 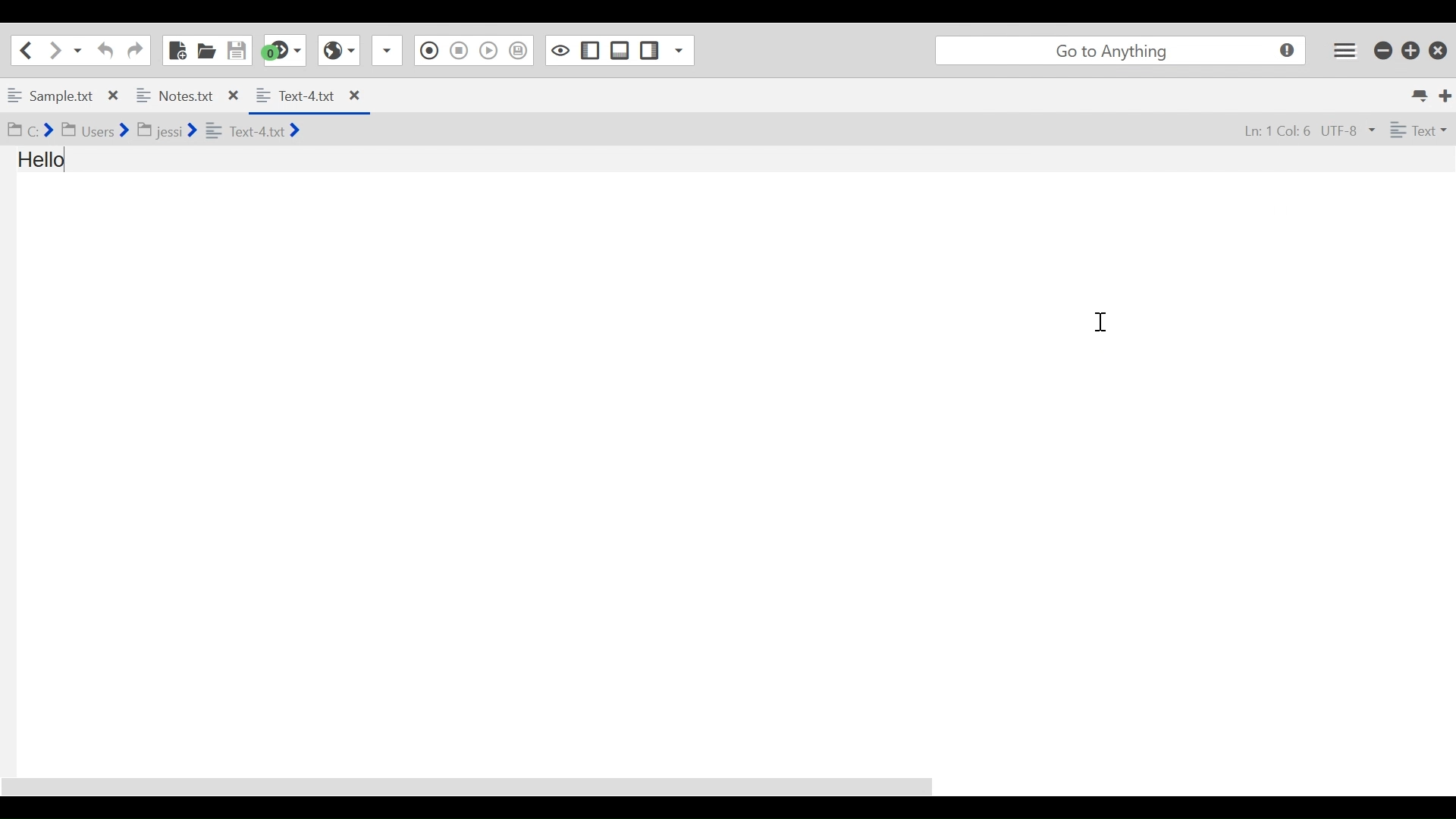 I want to click on cursor, so click(x=1100, y=322).